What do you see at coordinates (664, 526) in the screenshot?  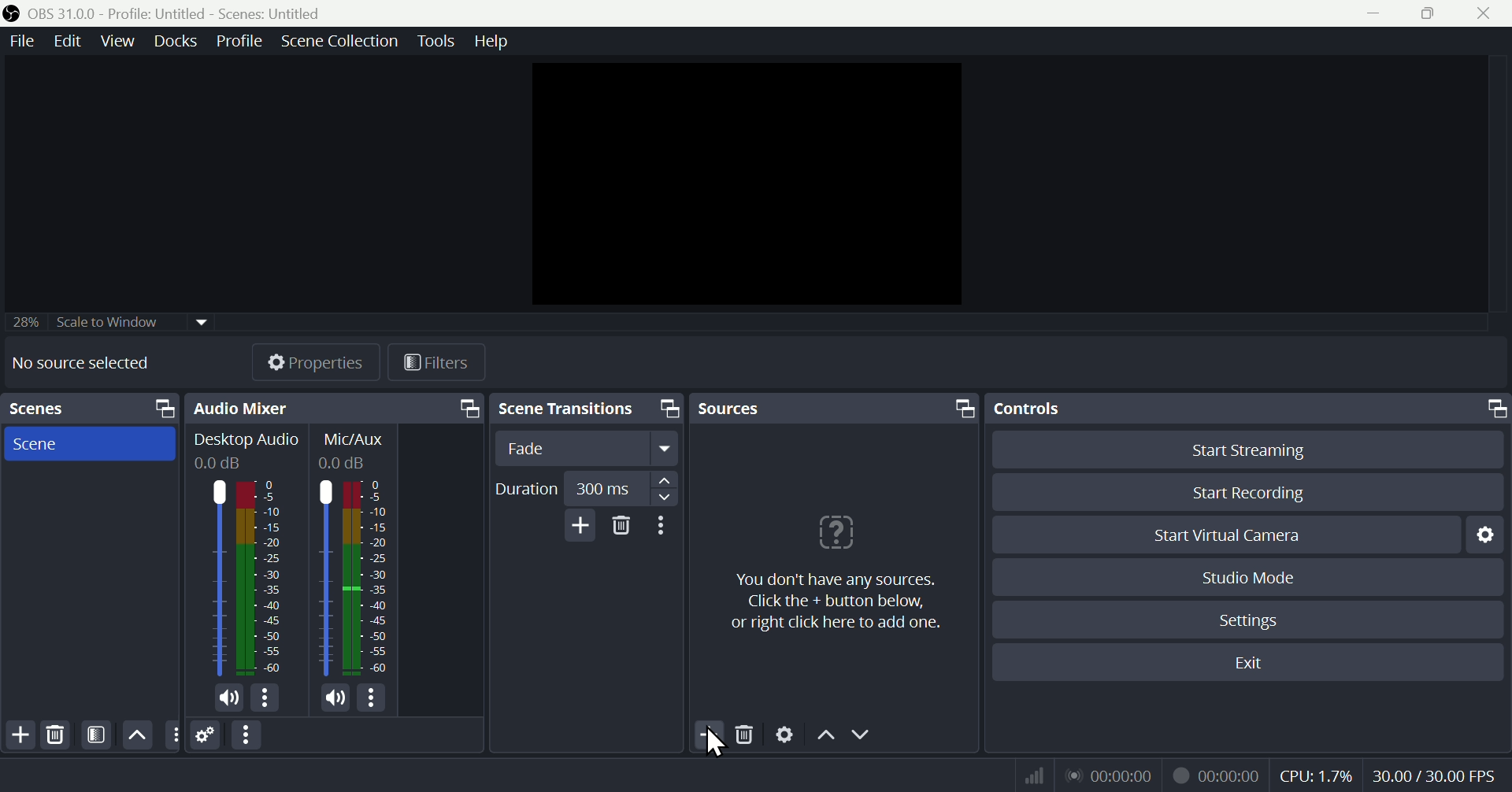 I see `More options` at bounding box center [664, 526].